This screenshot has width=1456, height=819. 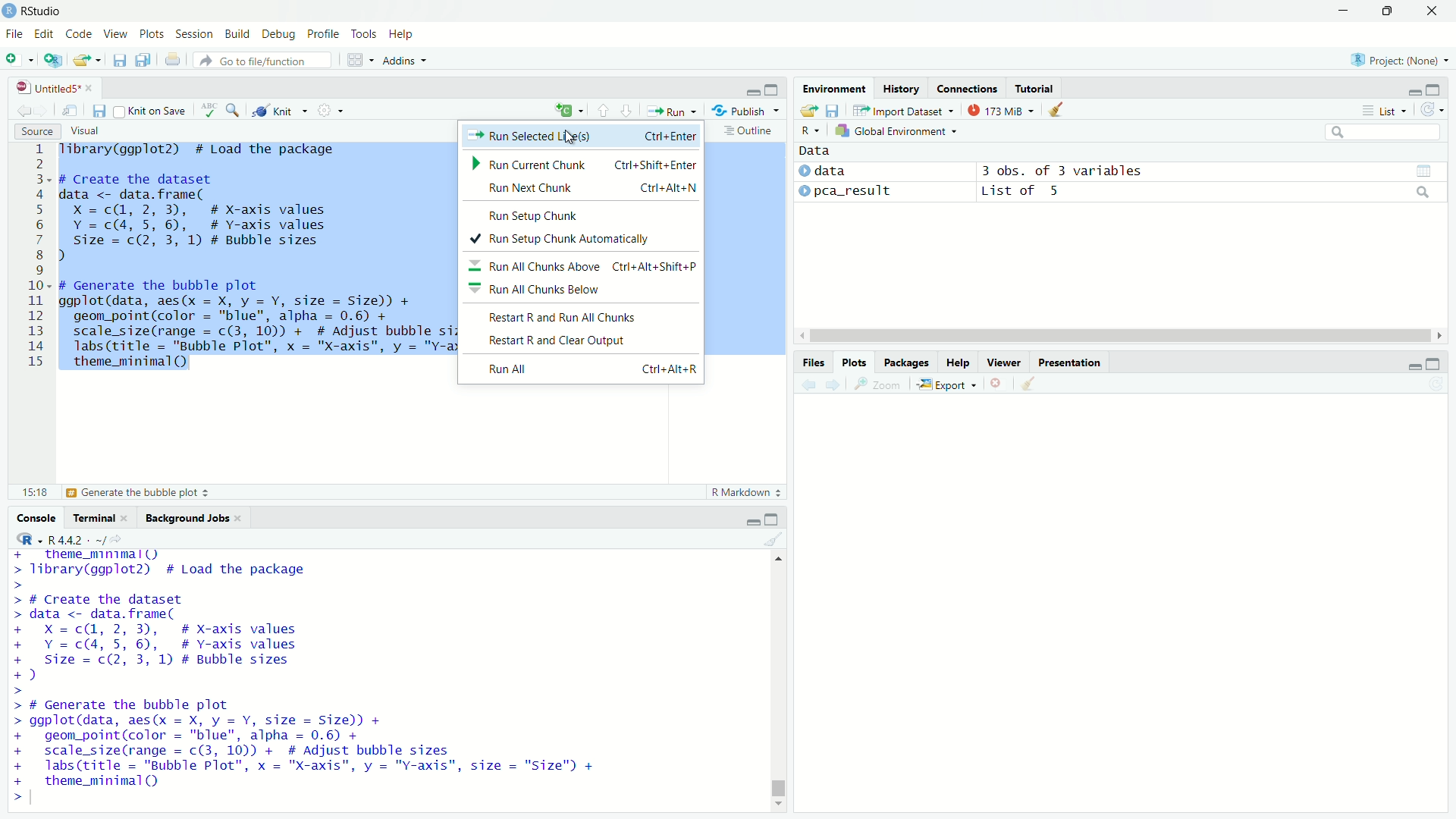 What do you see at coordinates (1398, 59) in the screenshot?
I see `selected project : none` at bounding box center [1398, 59].